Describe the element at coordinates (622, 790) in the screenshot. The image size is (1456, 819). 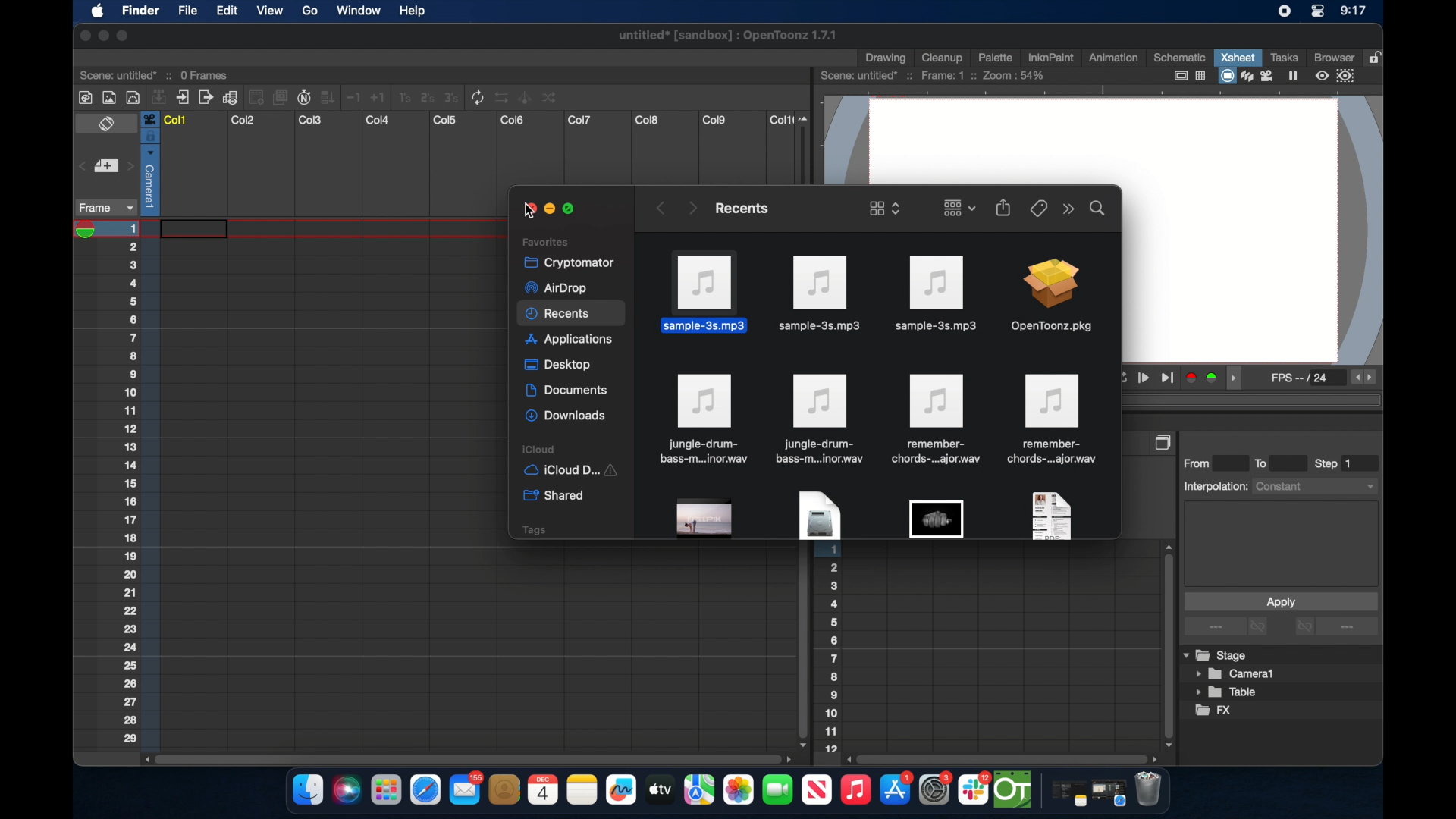
I see `freeform` at that location.